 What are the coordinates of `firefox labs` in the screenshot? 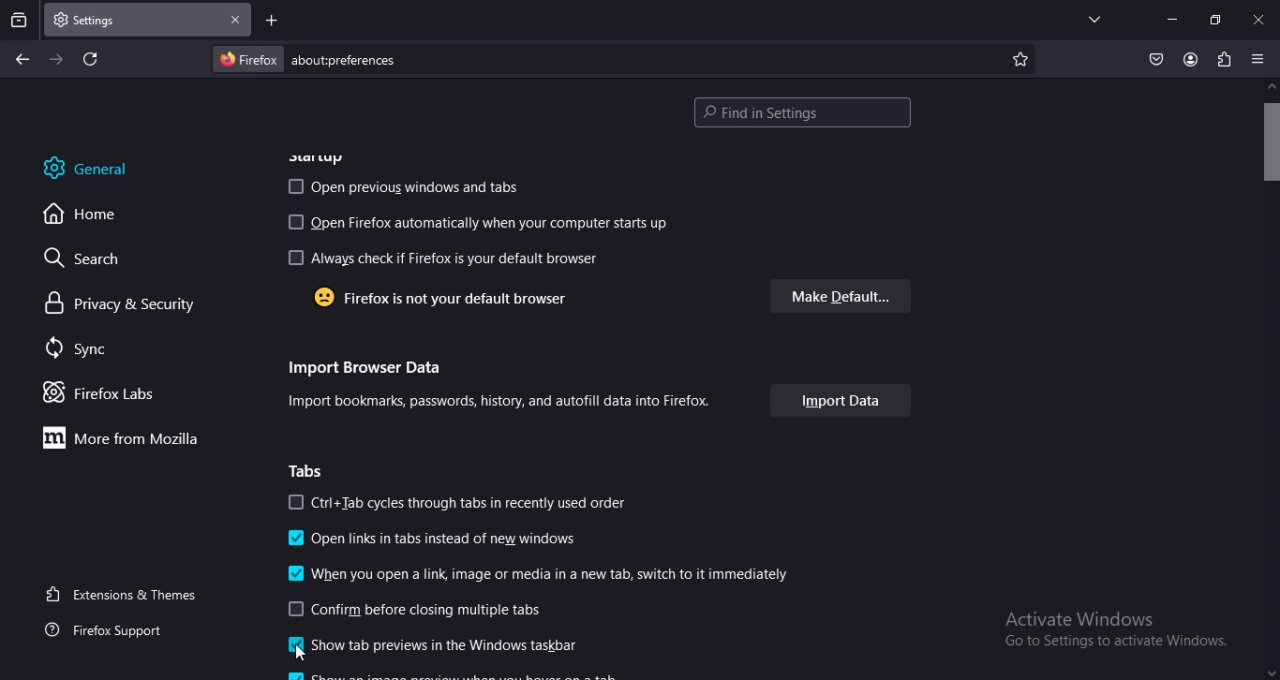 It's located at (101, 393).